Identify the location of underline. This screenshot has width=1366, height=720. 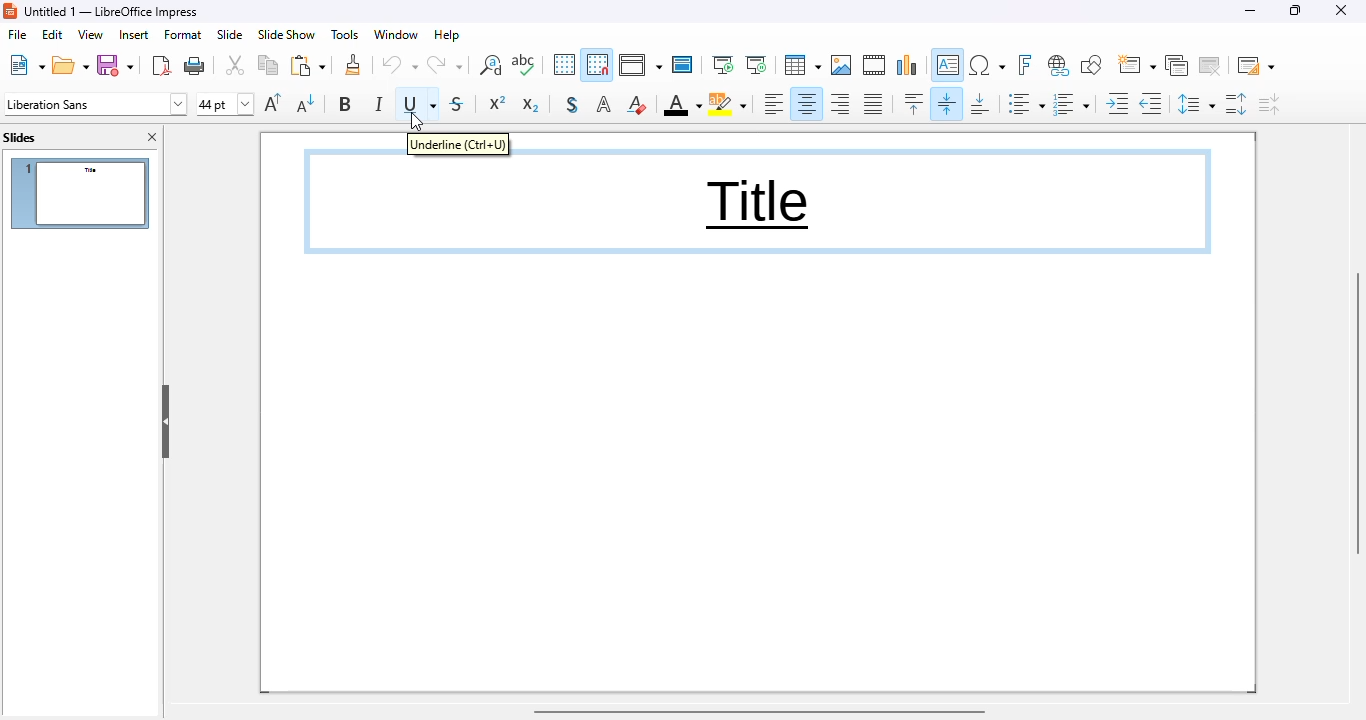
(417, 104).